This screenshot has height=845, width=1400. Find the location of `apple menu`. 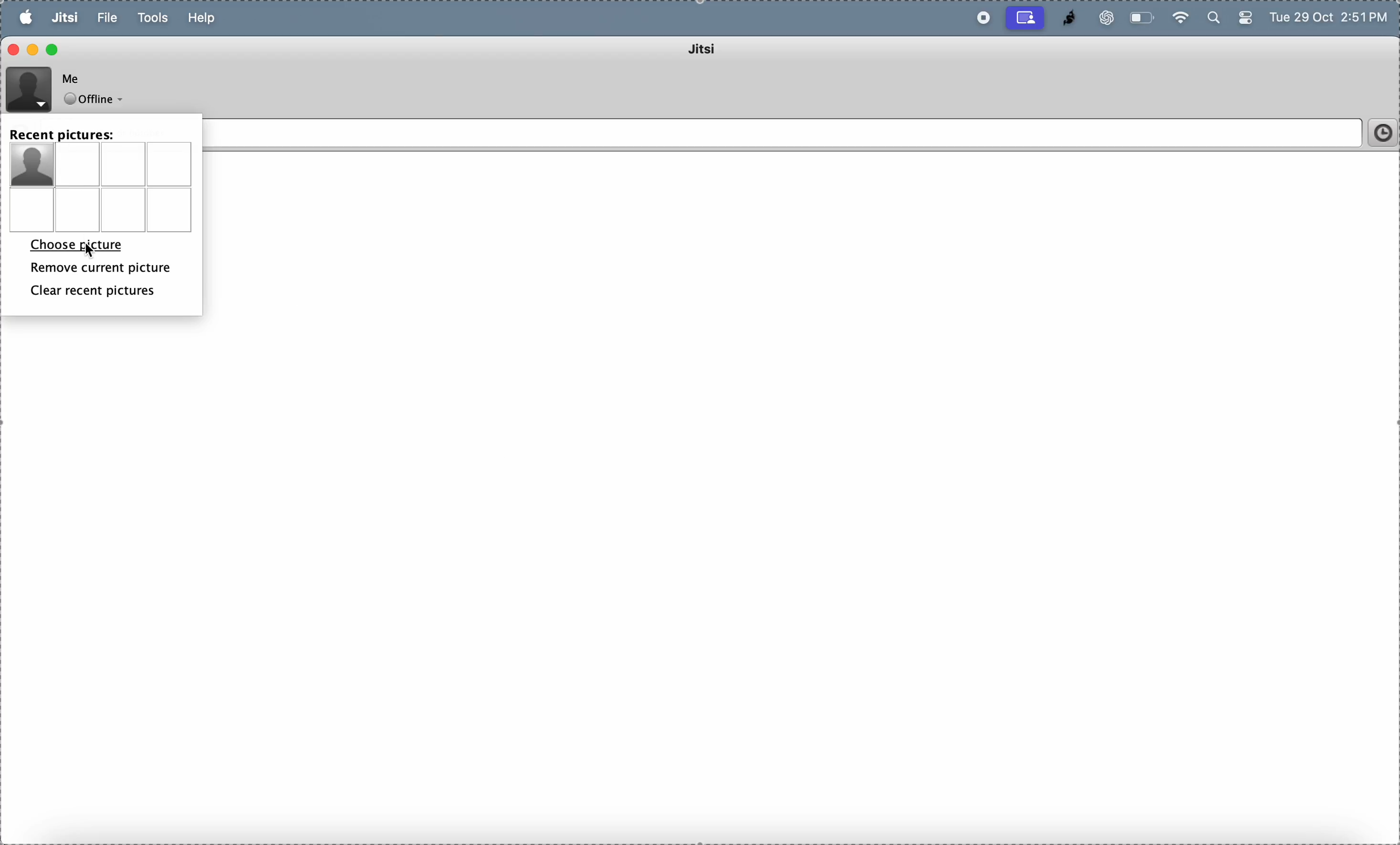

apple menu is located at coordinates (26, 17).